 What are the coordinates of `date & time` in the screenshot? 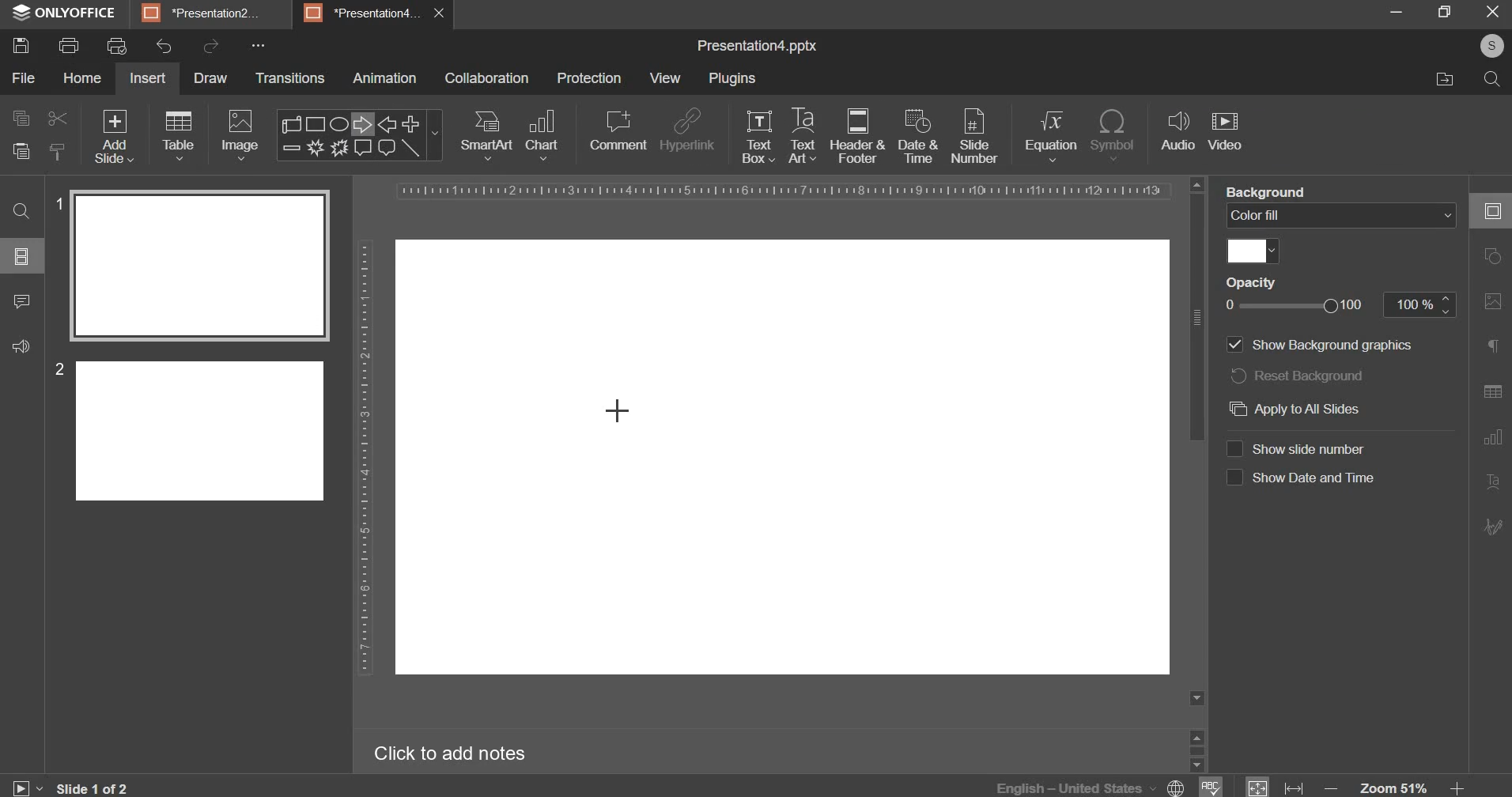 It's located at (920, 138).